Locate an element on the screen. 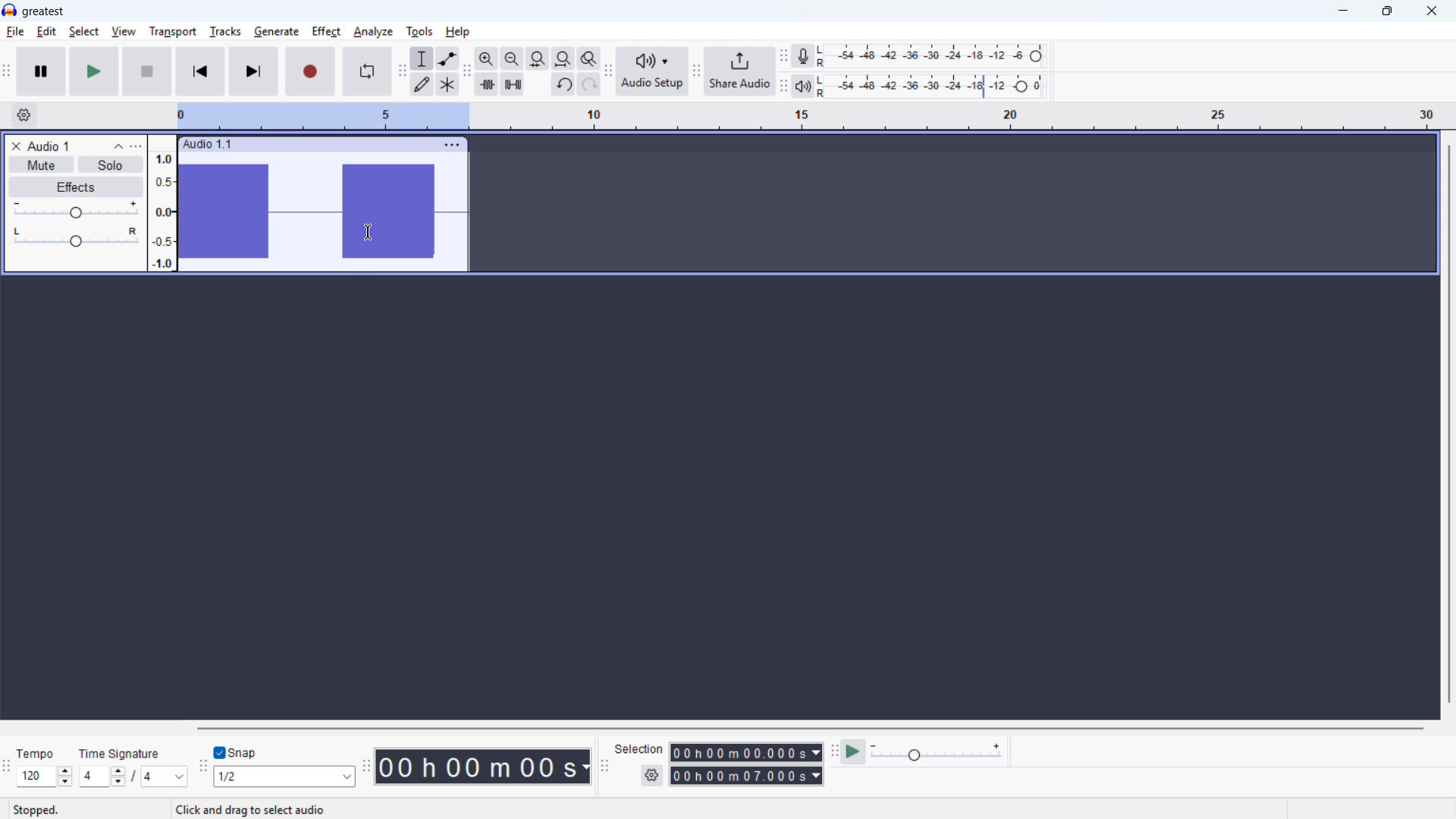  Cursor  is located at coordinates (368, 233).